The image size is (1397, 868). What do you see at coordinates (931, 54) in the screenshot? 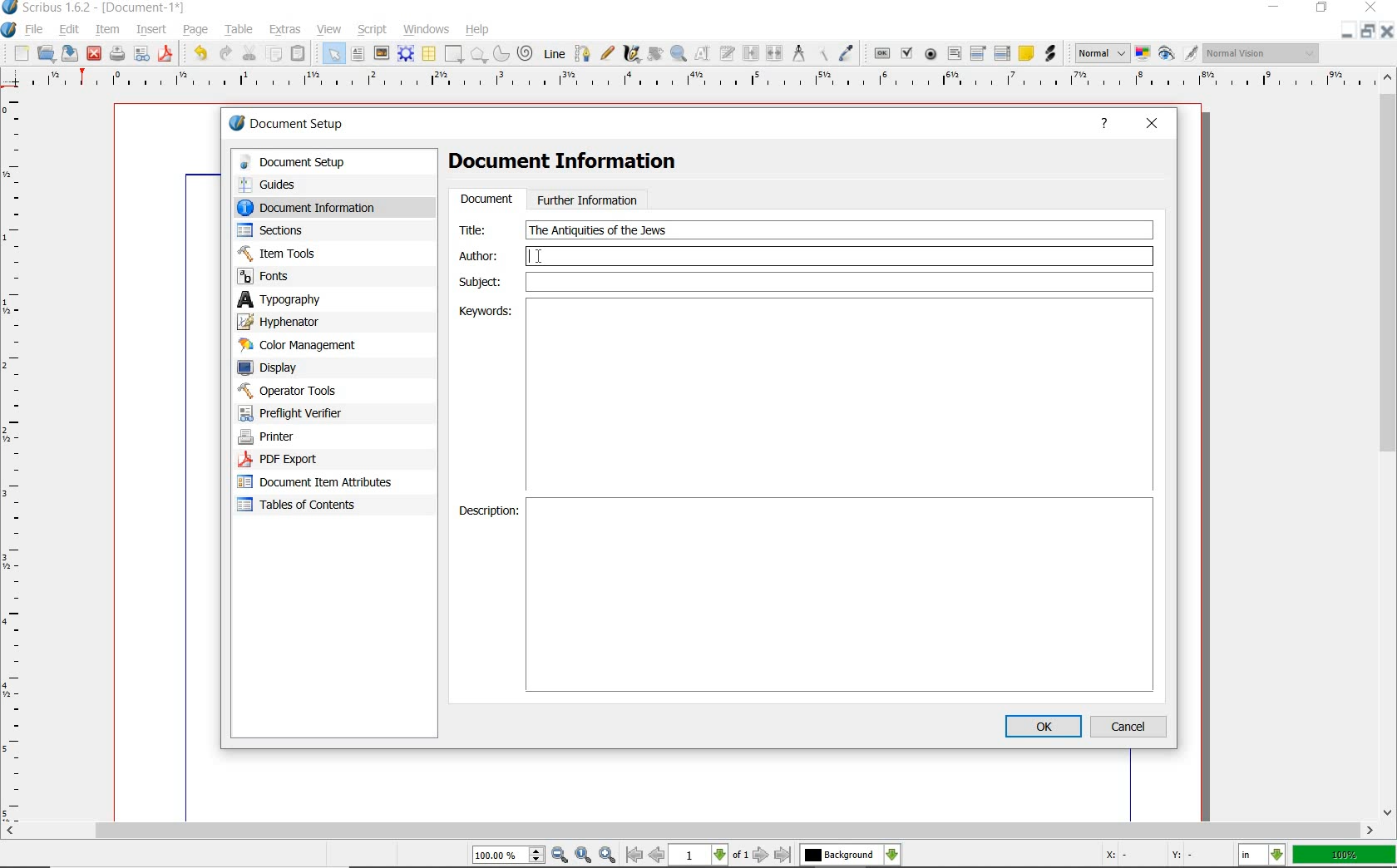
I see `pdf radio button` at bounding box center [931, 54].